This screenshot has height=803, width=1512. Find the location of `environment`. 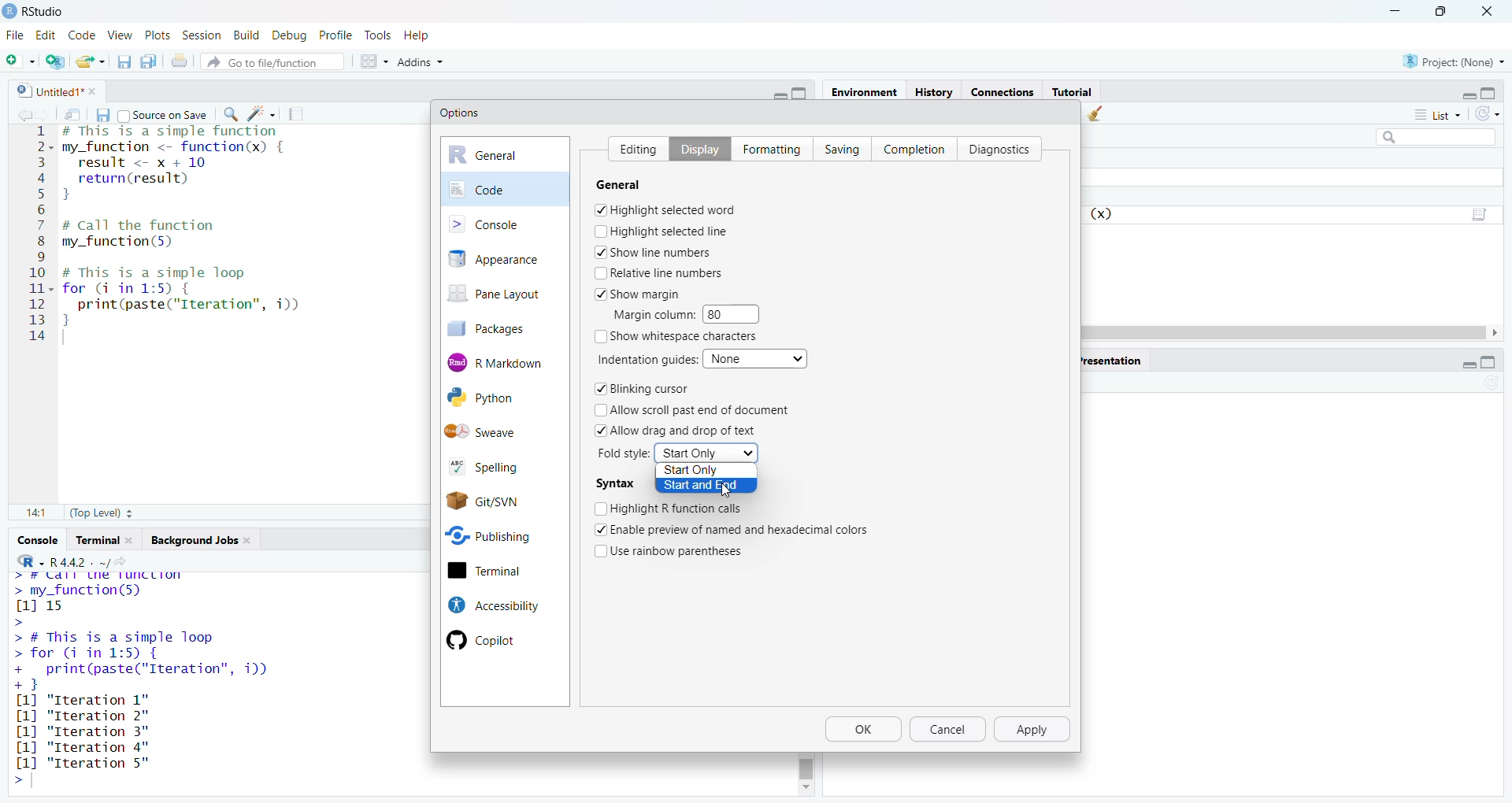

environment is located at coordinates (866, 92).